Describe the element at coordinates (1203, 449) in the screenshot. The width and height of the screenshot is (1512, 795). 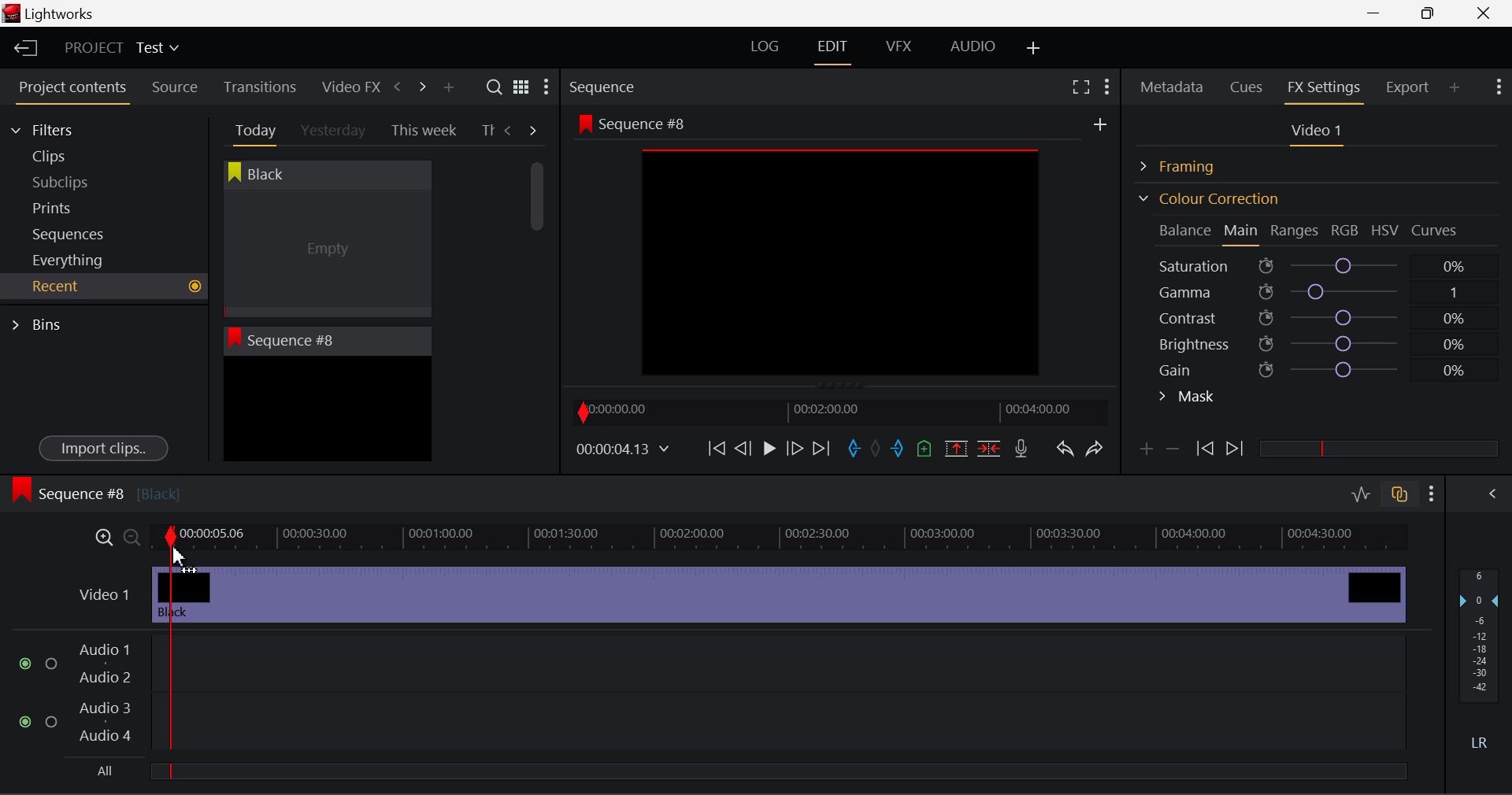
I see `Previous keyframe` at that location.